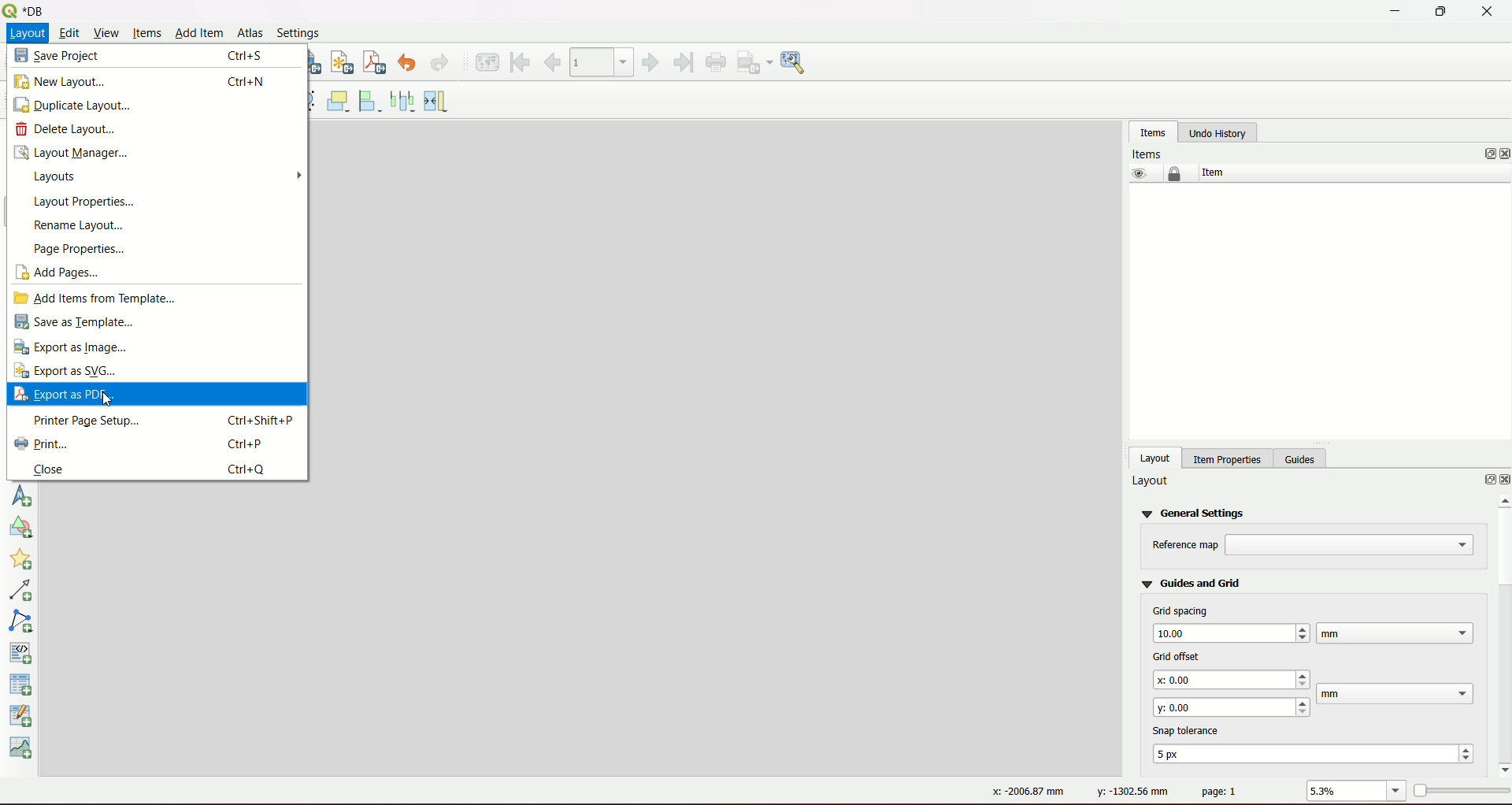 This screenshot has width=1512, height=805. What do you see at coordinates (258, 469) in the screenshot?
I see `ctrl+Q` at bounding box center [258, 469].